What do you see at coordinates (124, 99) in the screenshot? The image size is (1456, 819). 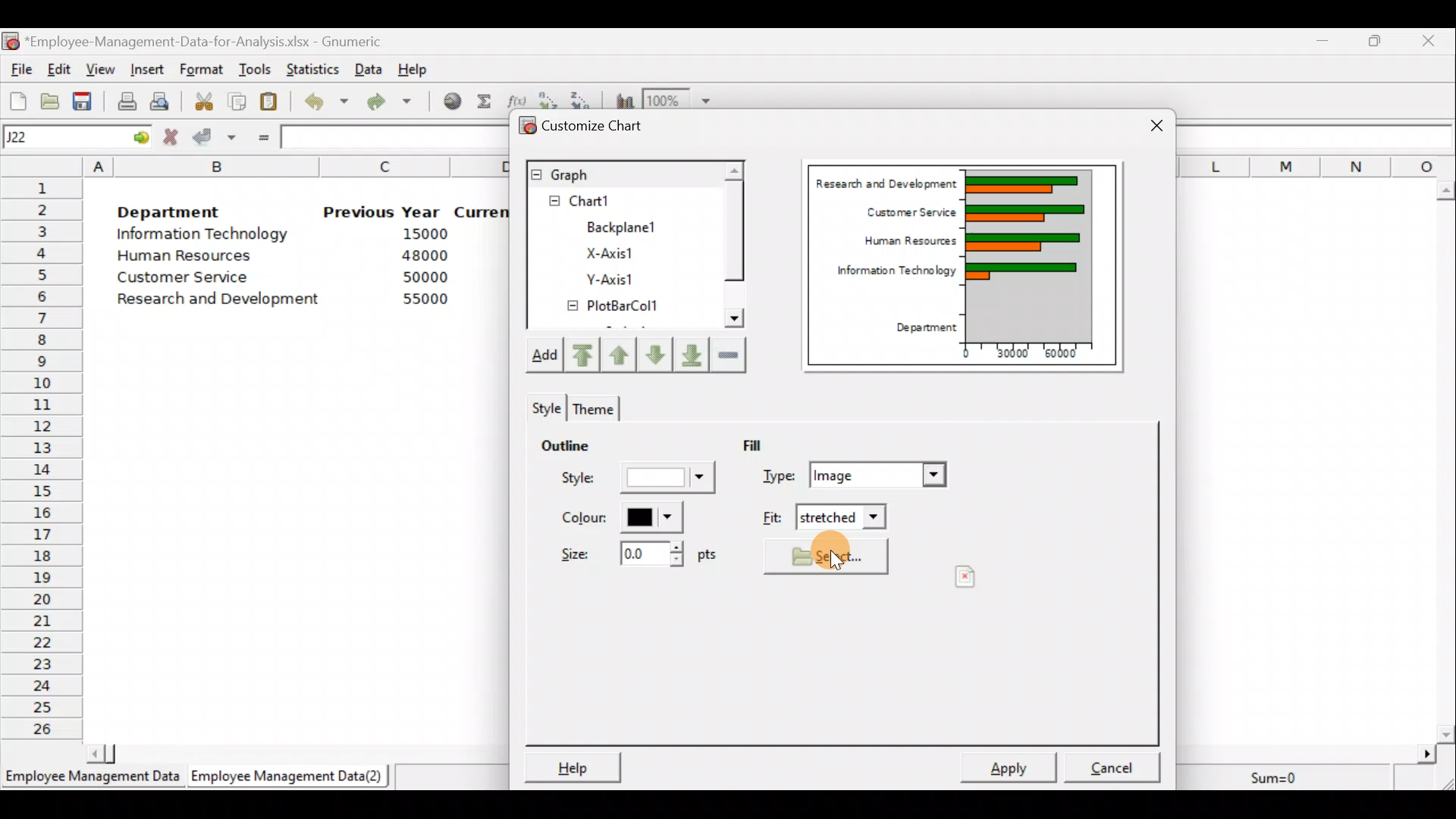 I see `Print current file` at bounding box center [124, 99].